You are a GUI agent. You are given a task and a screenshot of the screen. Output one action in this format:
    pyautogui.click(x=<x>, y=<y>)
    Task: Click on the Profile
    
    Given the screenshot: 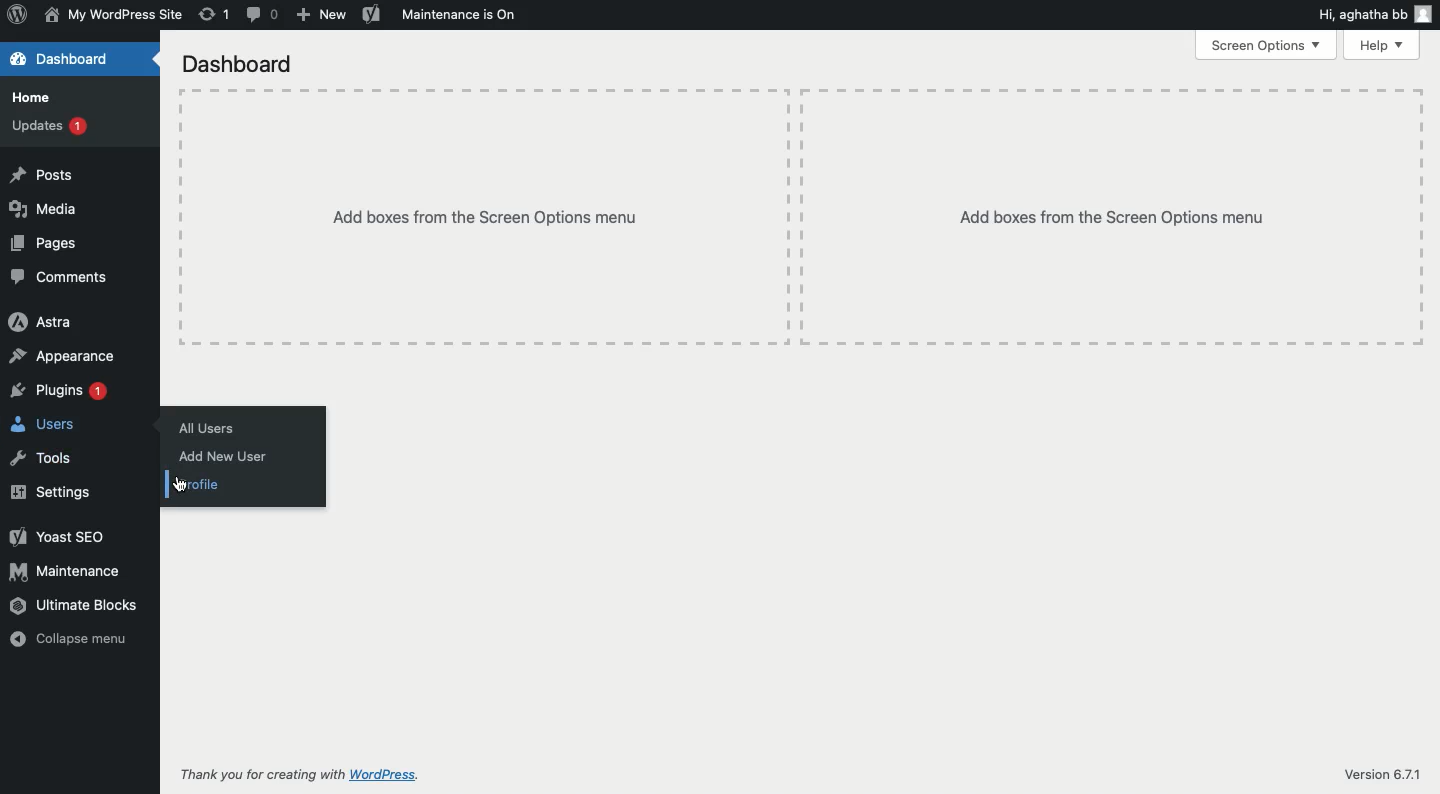 What is the action you would take?
    pyautogui.click(x=200, y=487)
    